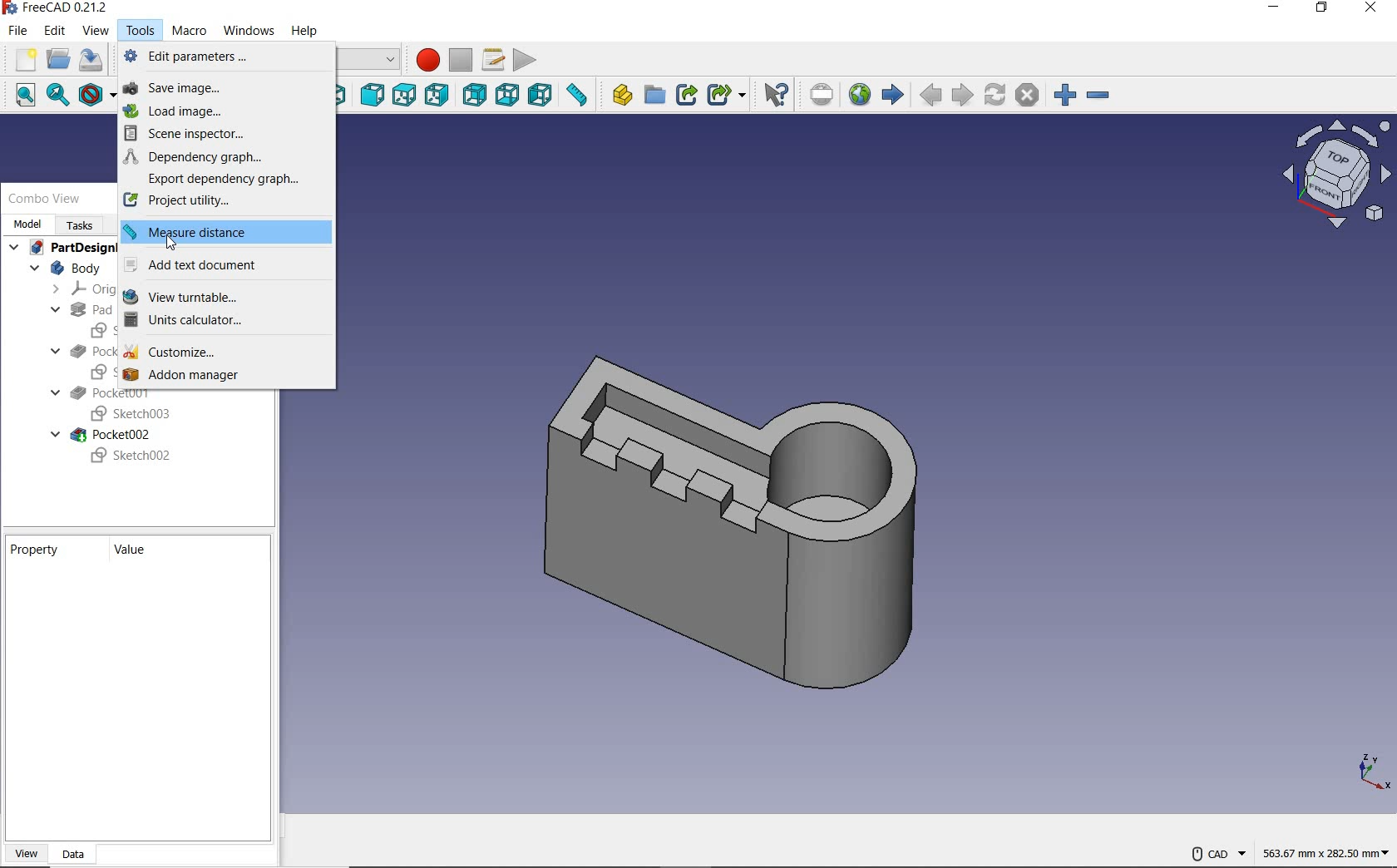  What do you see at coordinates (225, 89) in the screenshot?
I see `SAVE IMAGE` at bounding box center [225, 89].